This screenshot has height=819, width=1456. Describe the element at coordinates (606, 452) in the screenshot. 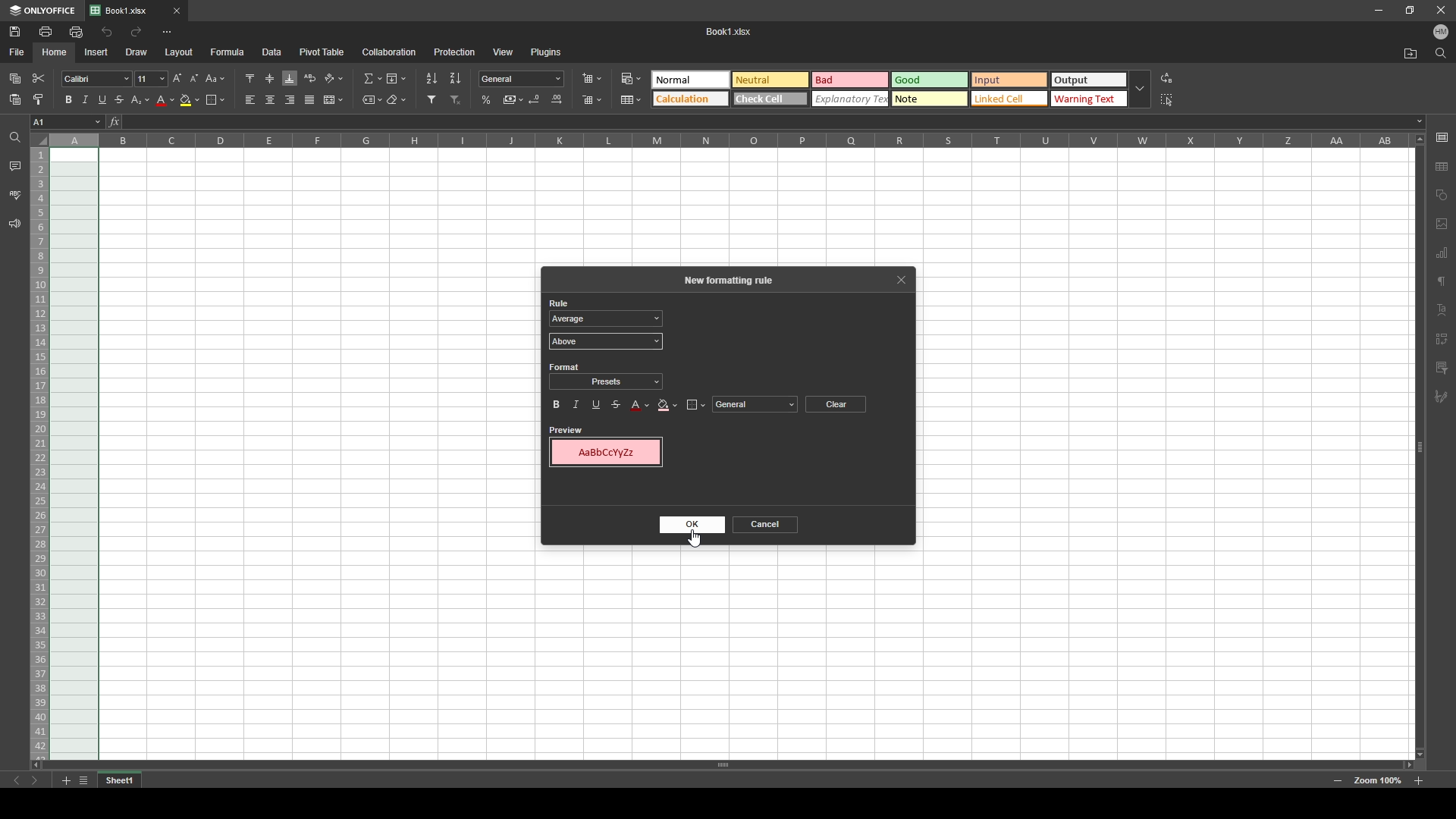

I see `preview` at that location.